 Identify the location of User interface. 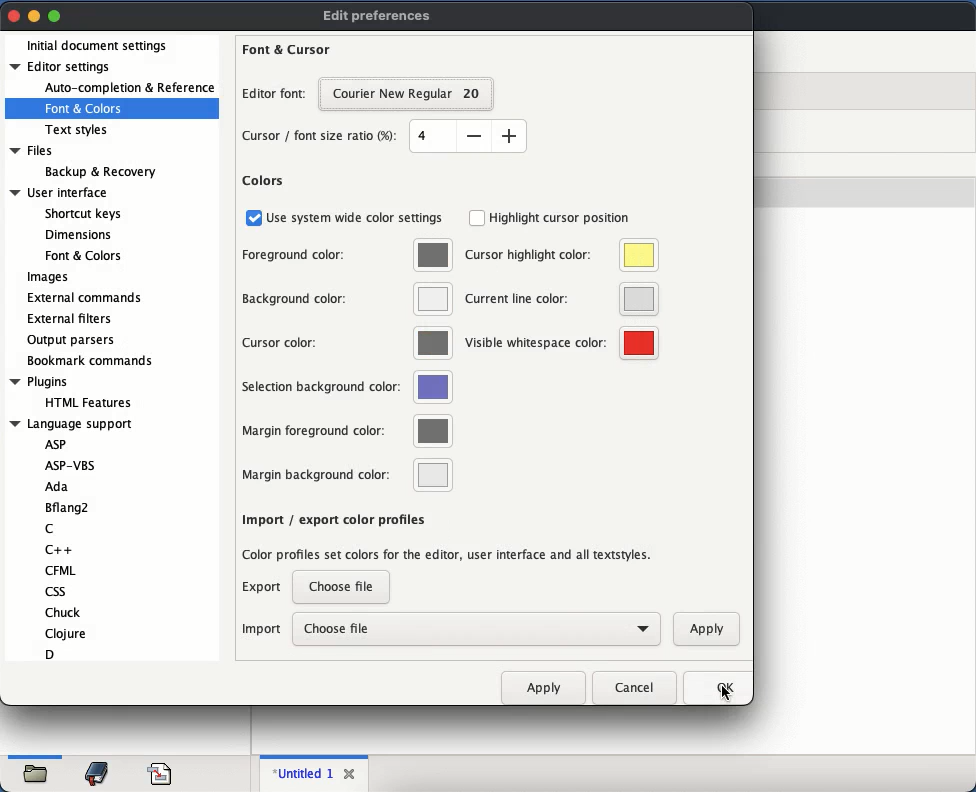
(58, 191).